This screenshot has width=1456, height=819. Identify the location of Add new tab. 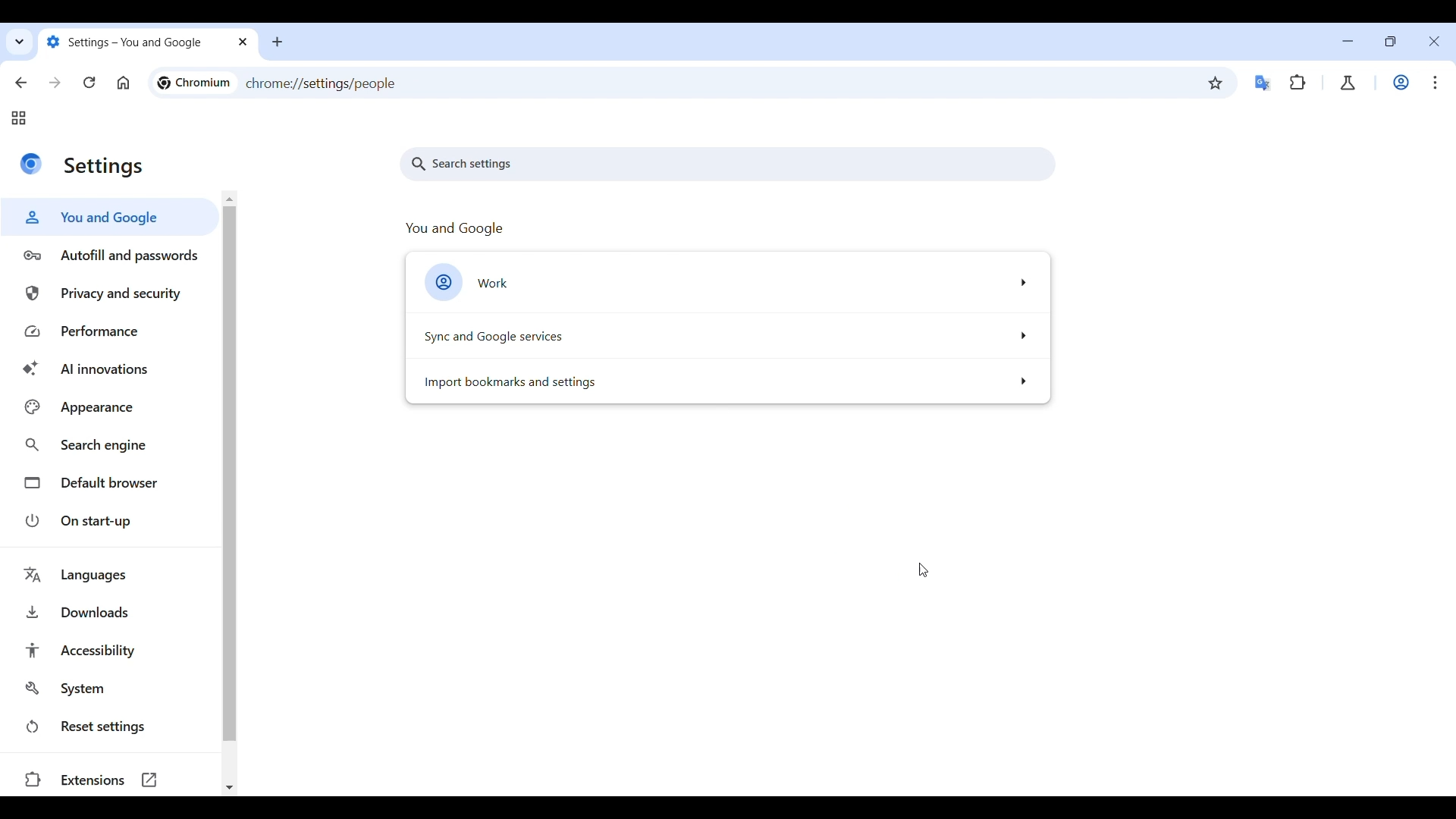
(278, 42).